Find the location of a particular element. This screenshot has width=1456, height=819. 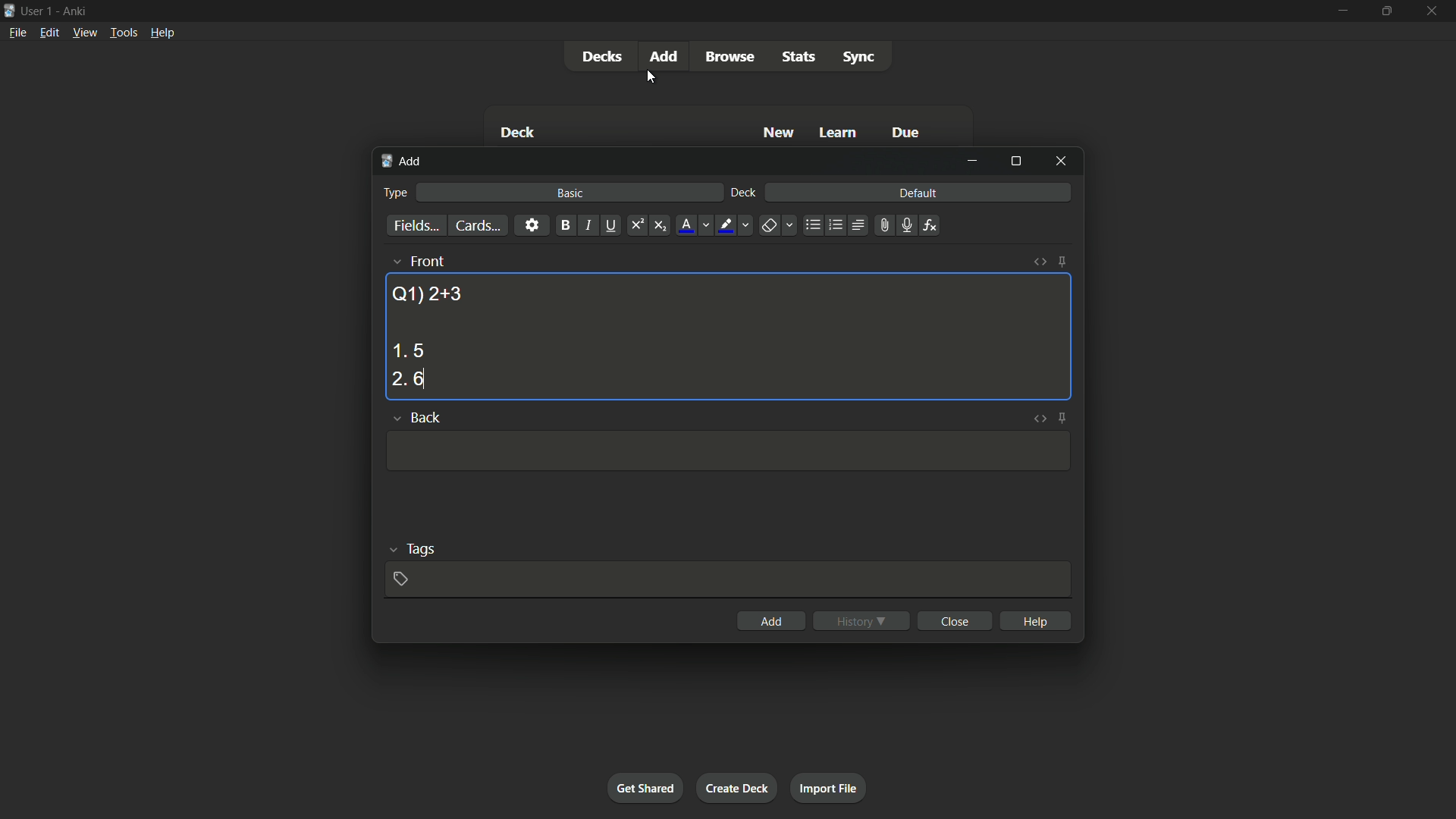

close is located at coordinates (957, 620).